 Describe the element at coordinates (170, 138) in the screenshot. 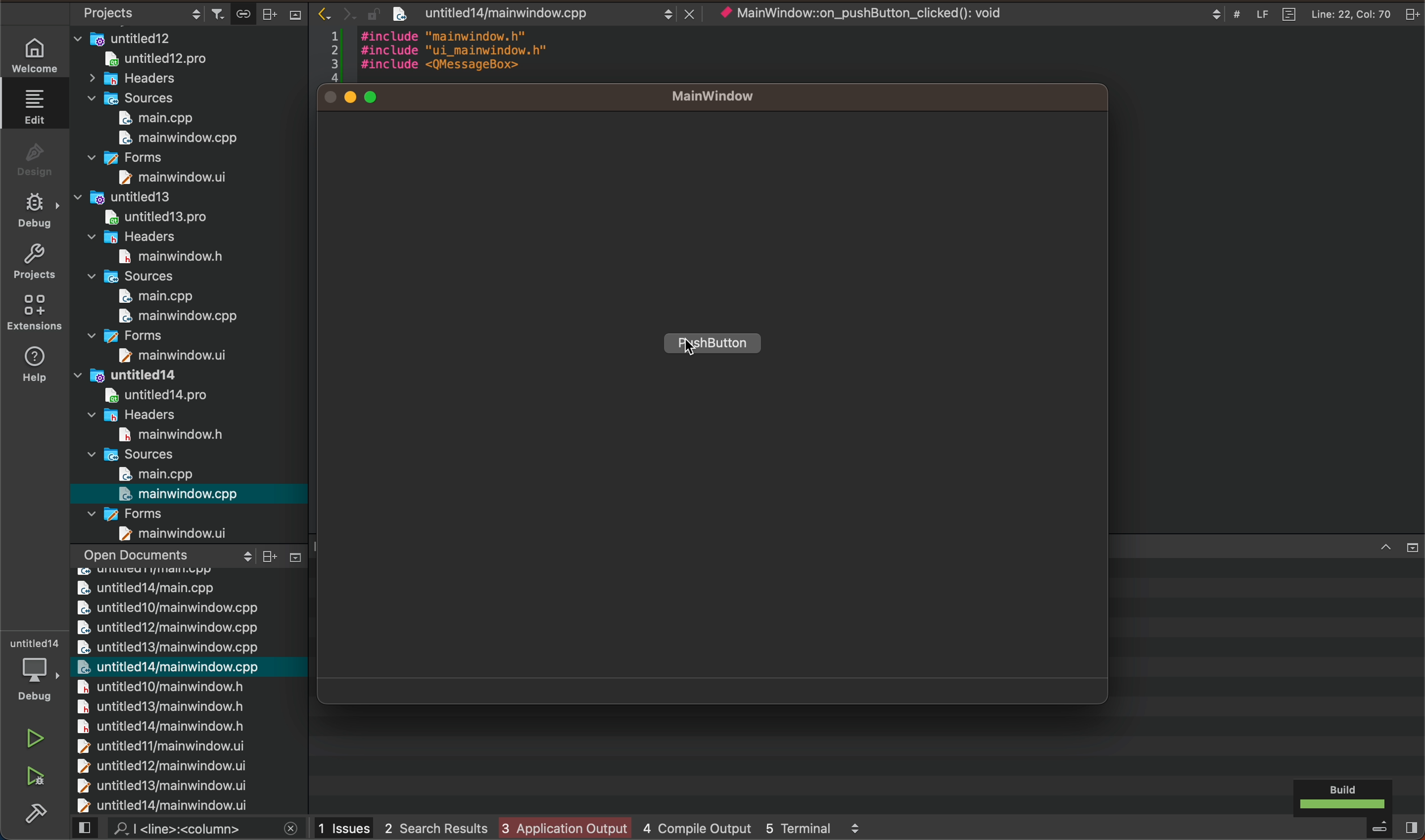

I see `main window.cpp` at that location.